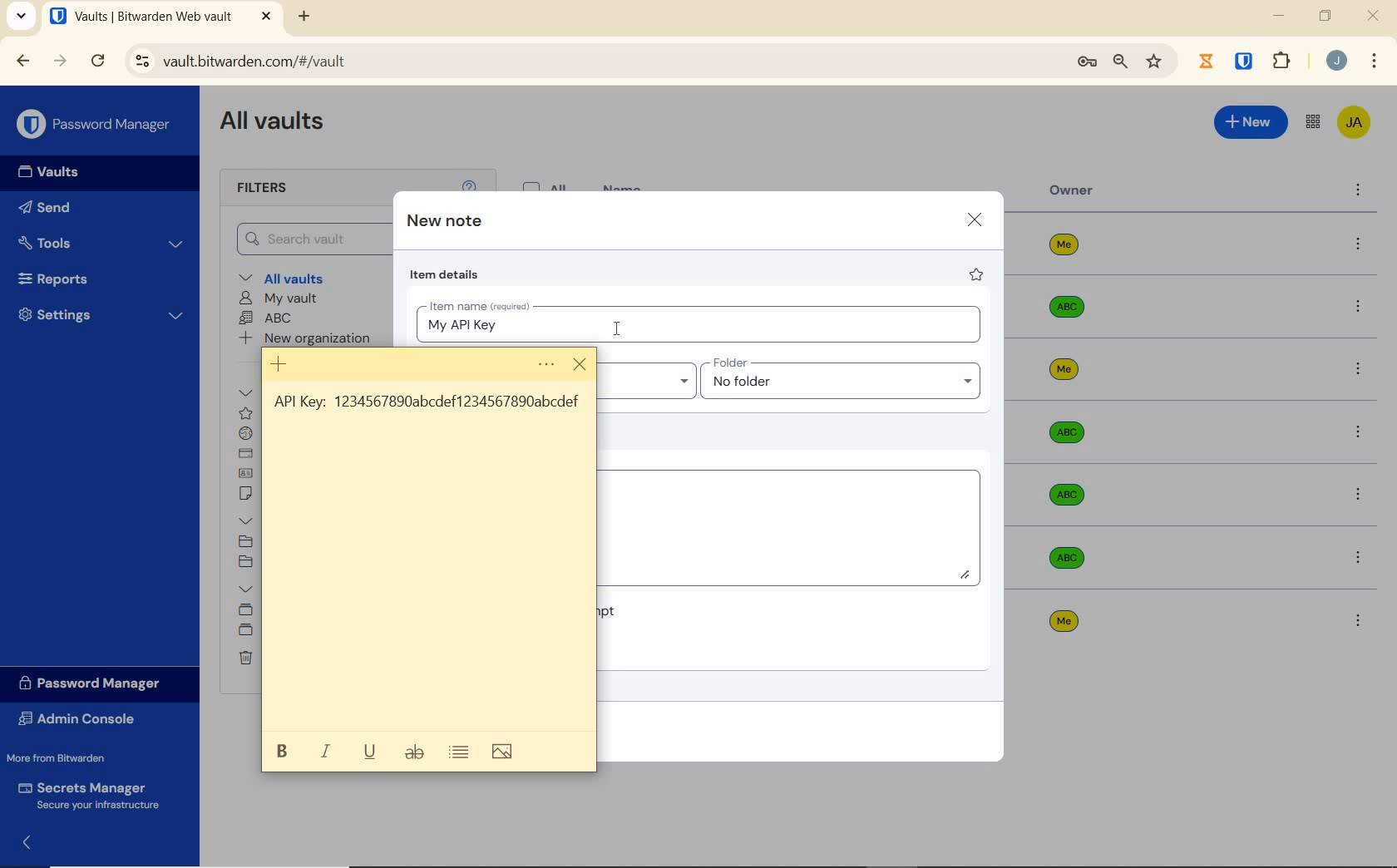  Describe the element at coordinates (61, 62) in the screenshot. I see `FORWARD` at that location.